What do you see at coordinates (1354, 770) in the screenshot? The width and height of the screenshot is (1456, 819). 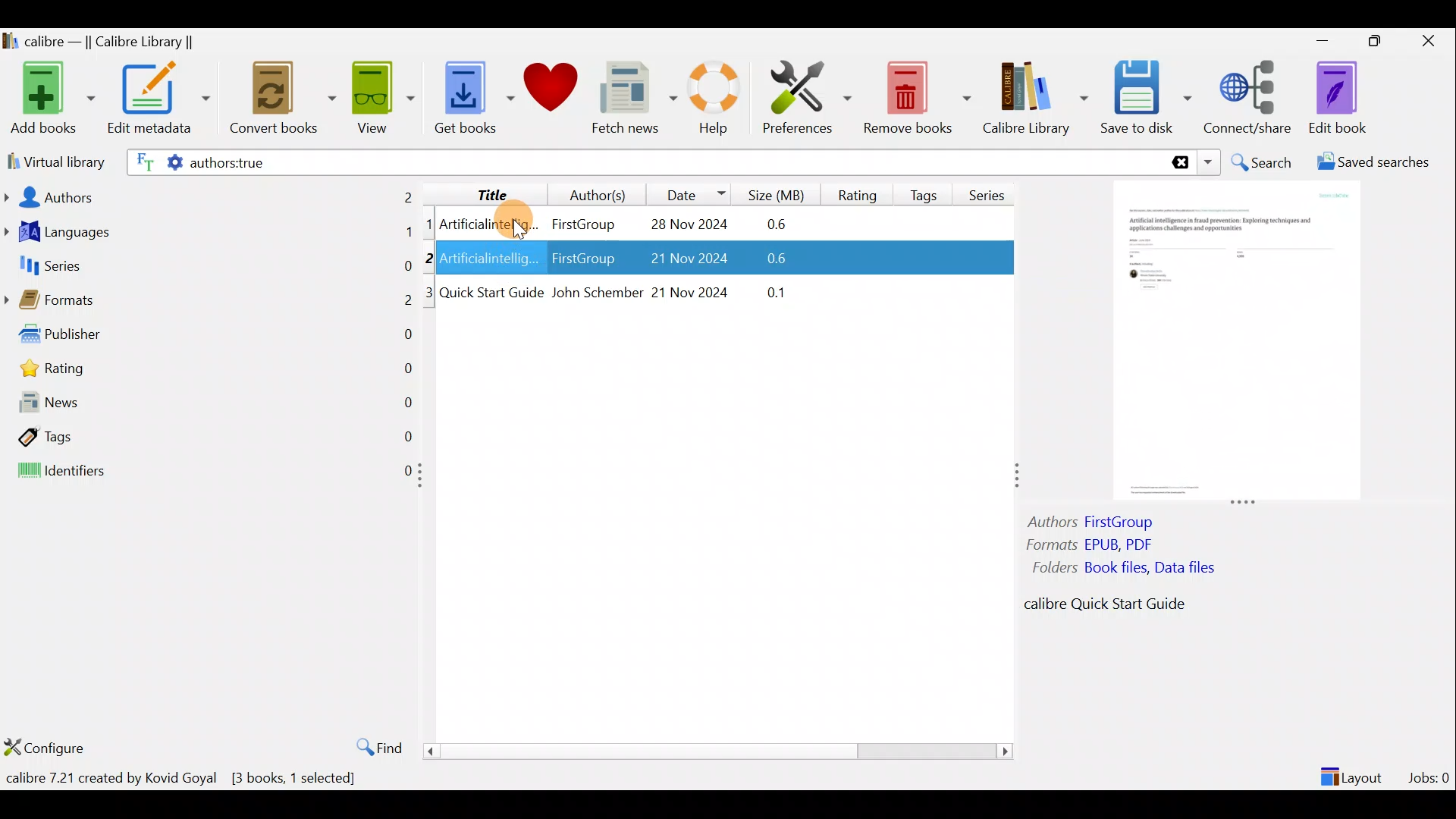 I see `Layout` at bounding box center [1354, 770].